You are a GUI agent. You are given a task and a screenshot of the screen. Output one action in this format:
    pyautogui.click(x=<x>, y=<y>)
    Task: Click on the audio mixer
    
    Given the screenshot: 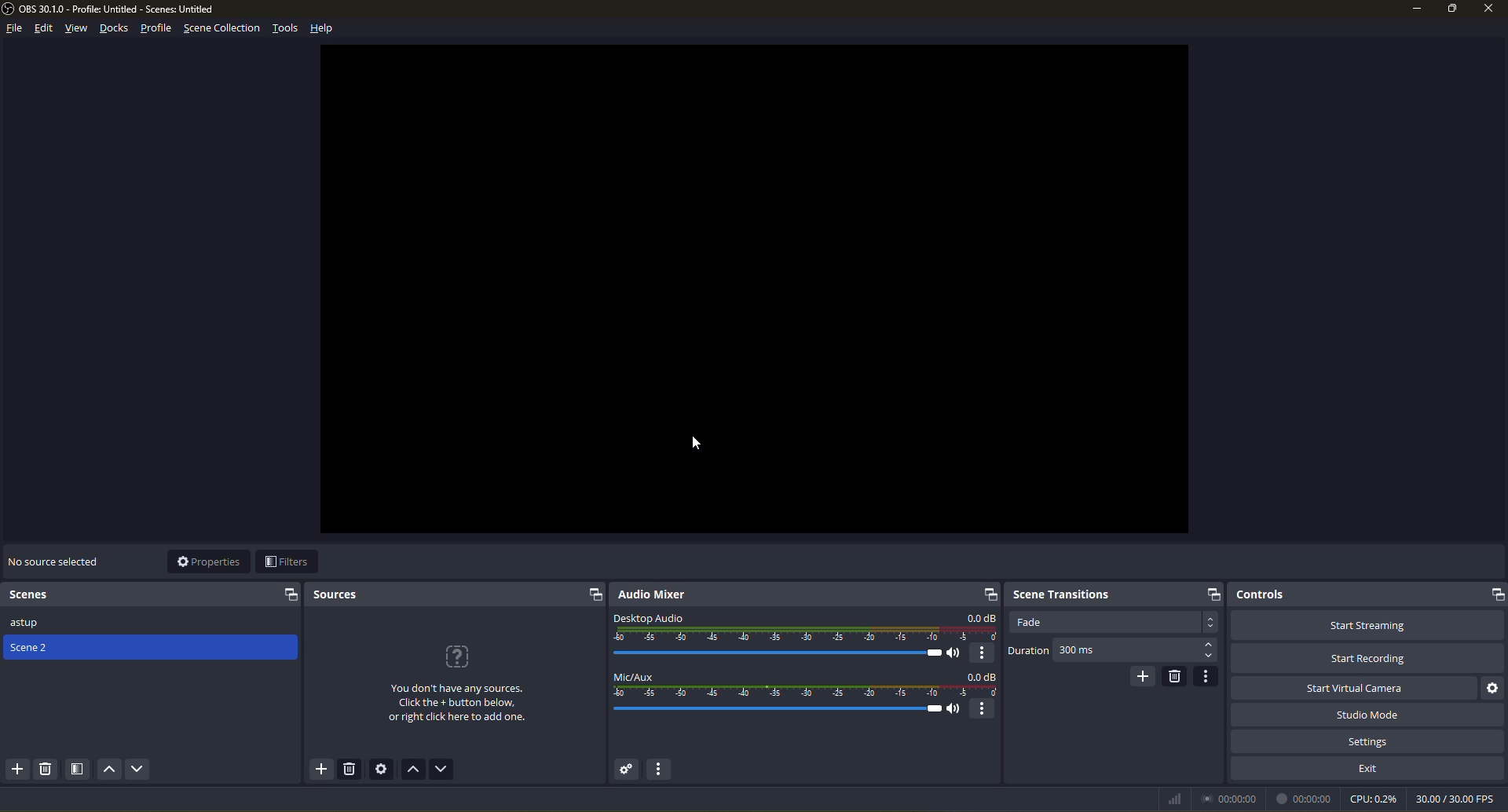 What is the action you would take?
    pyautogui.click(x=650, y=595)
    